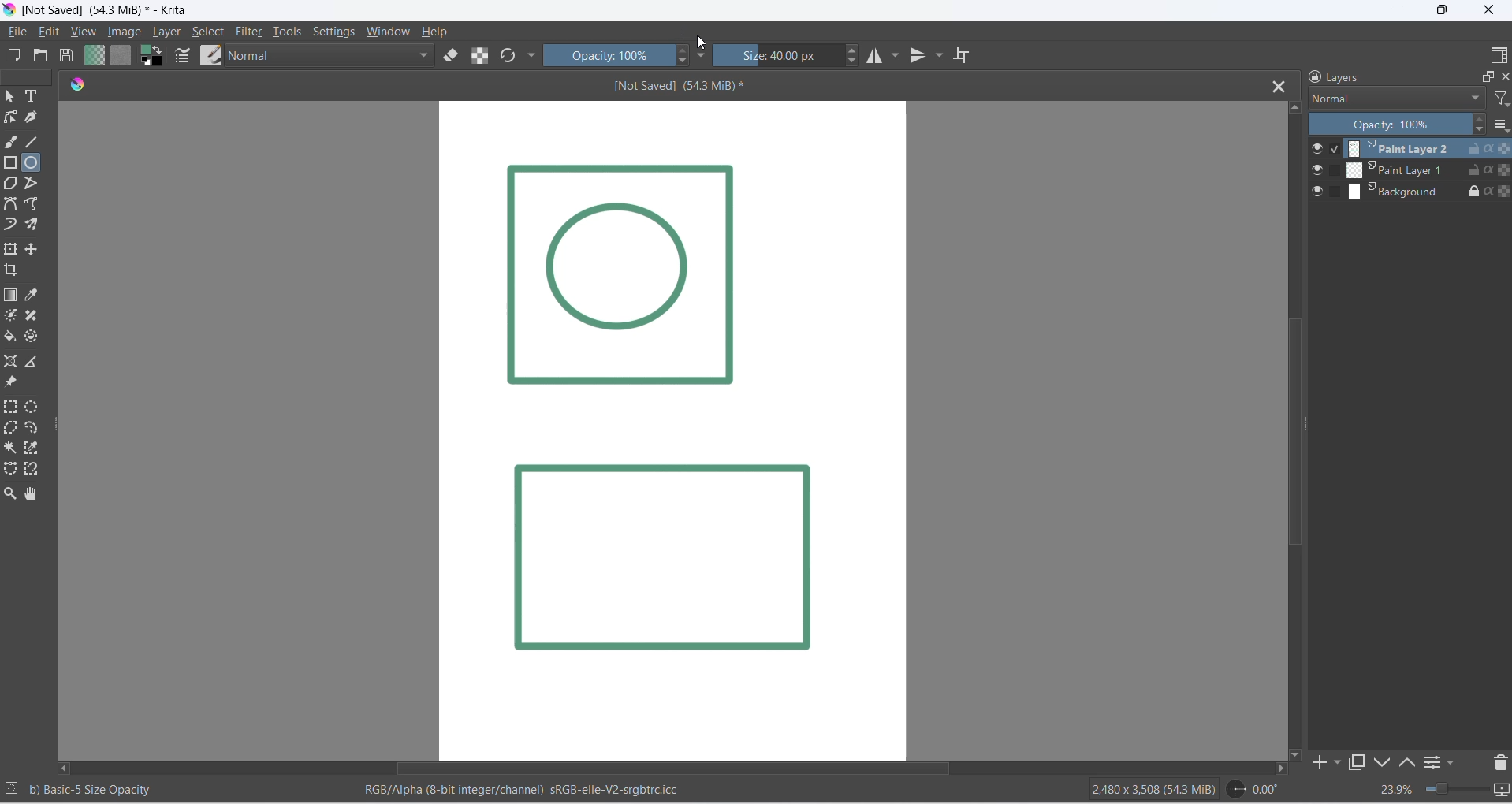 Image resolution: width=1512 pixels, height=804 pixels. What do you see at coordinates (622, 281) in the screenshot?
I see `Image Layer 1` at bounding box center [622, 281].